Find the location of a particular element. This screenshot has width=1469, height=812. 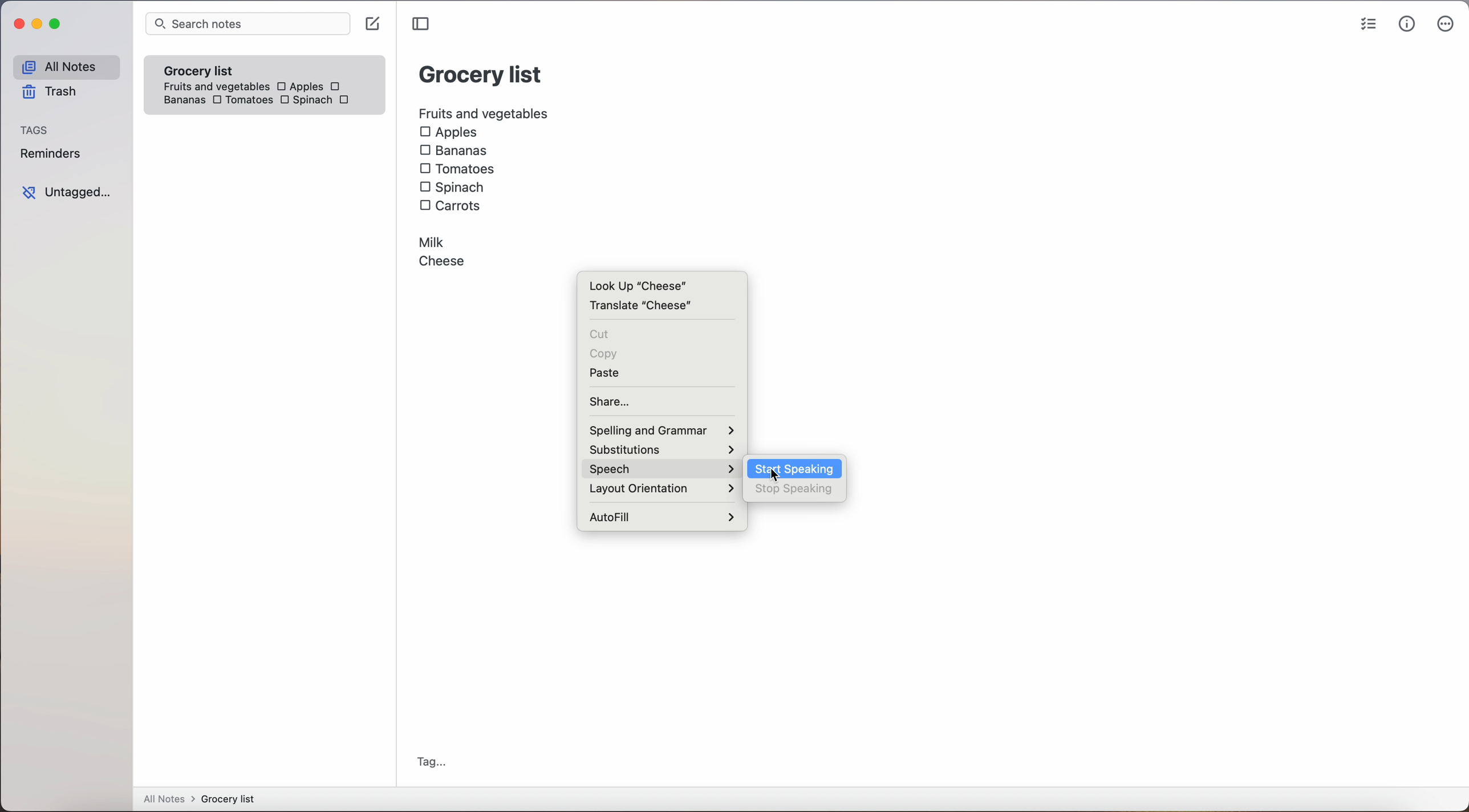

trash is located at coordinates (48, 94).